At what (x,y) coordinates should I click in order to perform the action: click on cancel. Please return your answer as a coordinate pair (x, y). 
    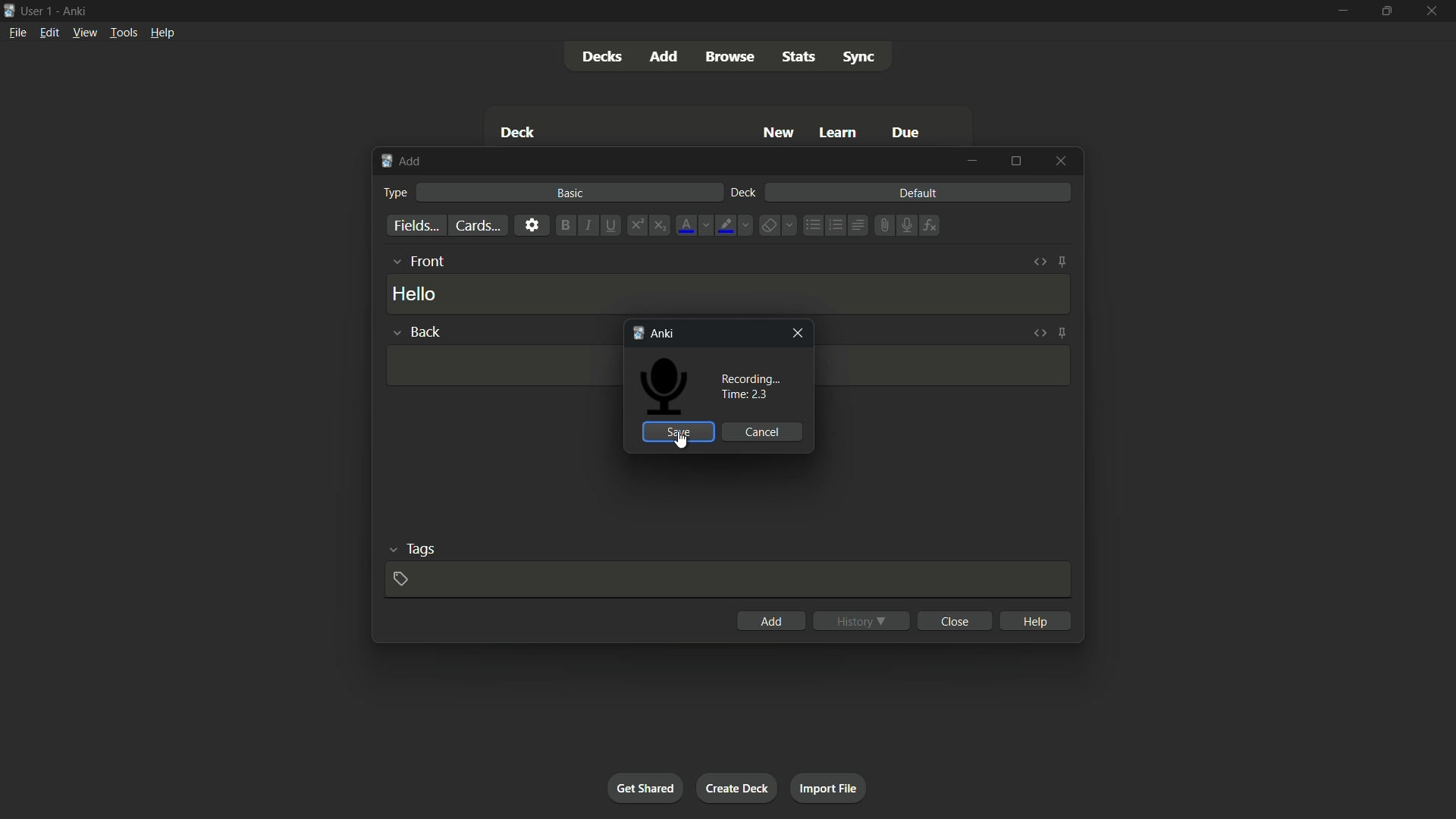
    Looking at the image, I should click on (763, 431).